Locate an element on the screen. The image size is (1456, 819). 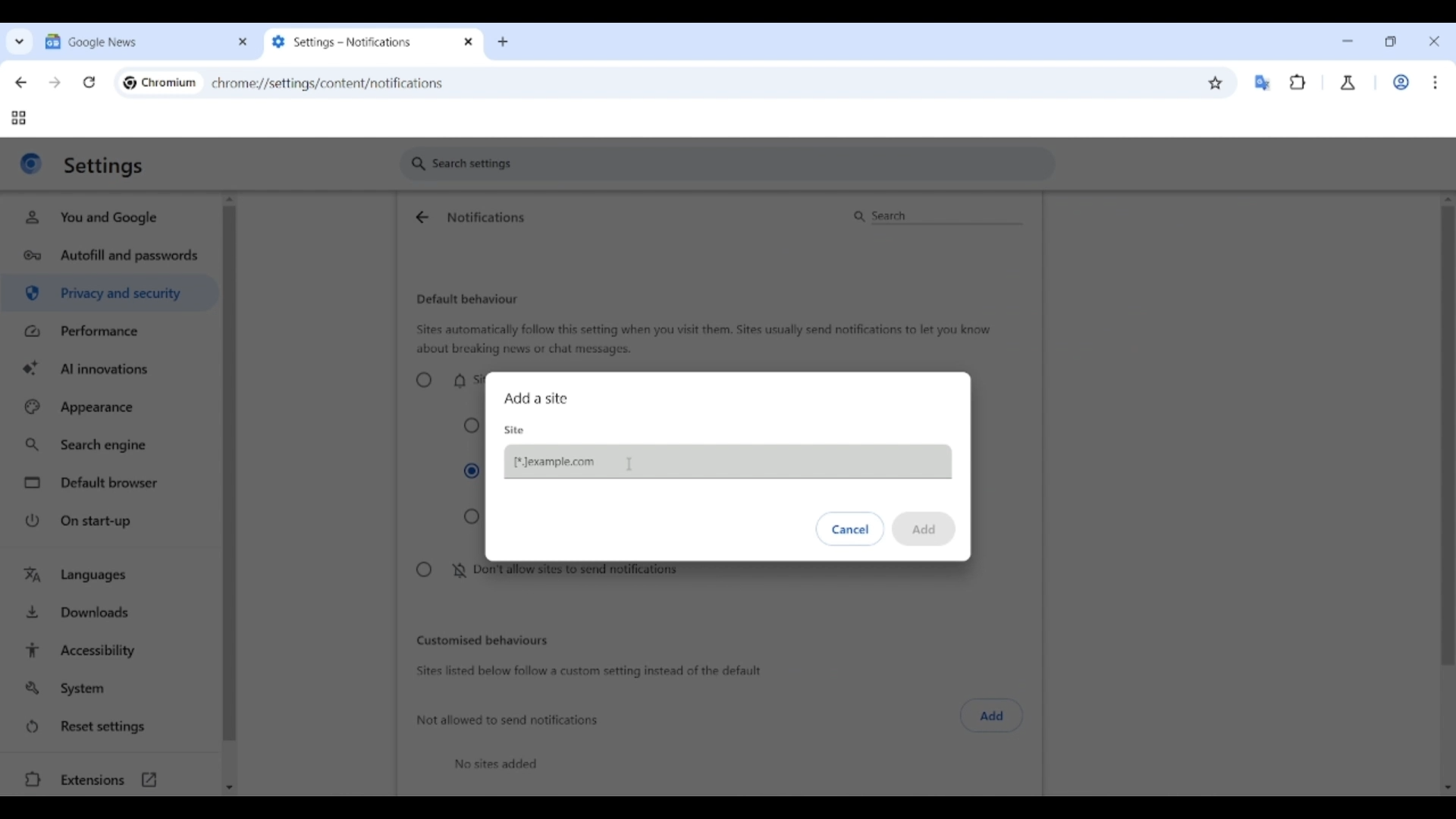
Default behaviour is located at coordinates (467, 300).